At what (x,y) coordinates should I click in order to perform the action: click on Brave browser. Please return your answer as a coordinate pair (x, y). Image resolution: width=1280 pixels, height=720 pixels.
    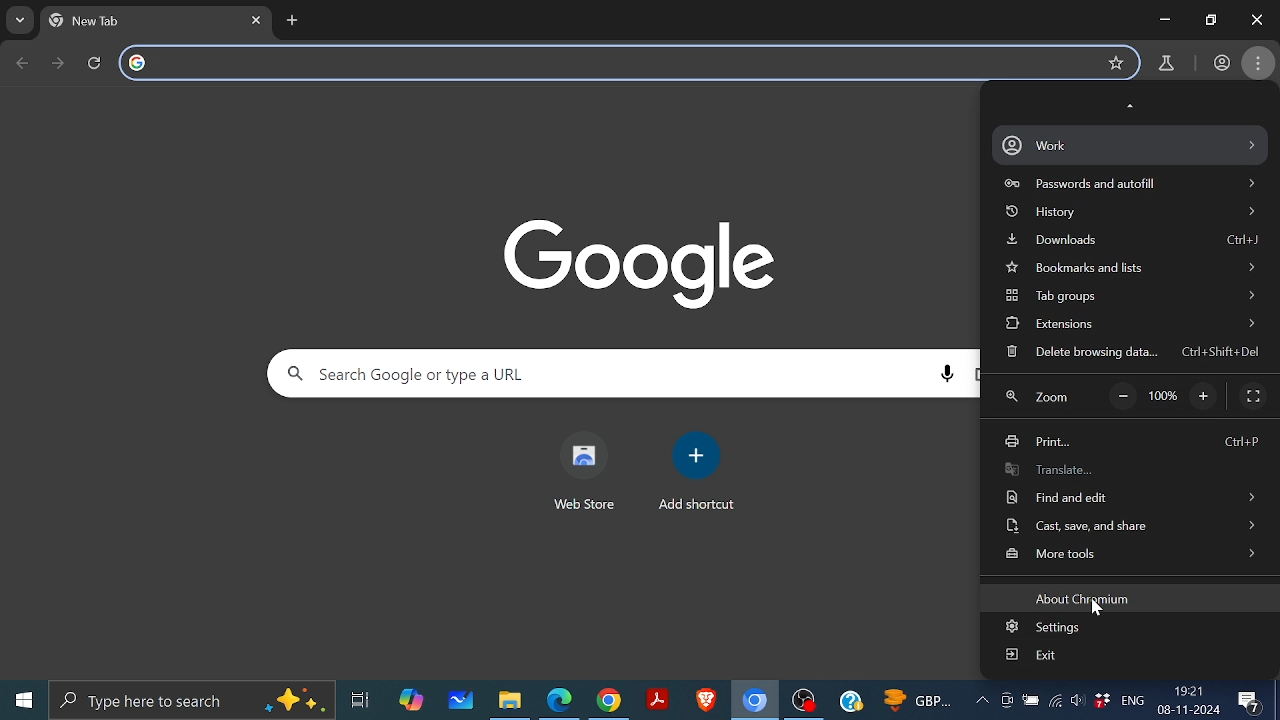
    Looking at the image, I should click on (705, 700).